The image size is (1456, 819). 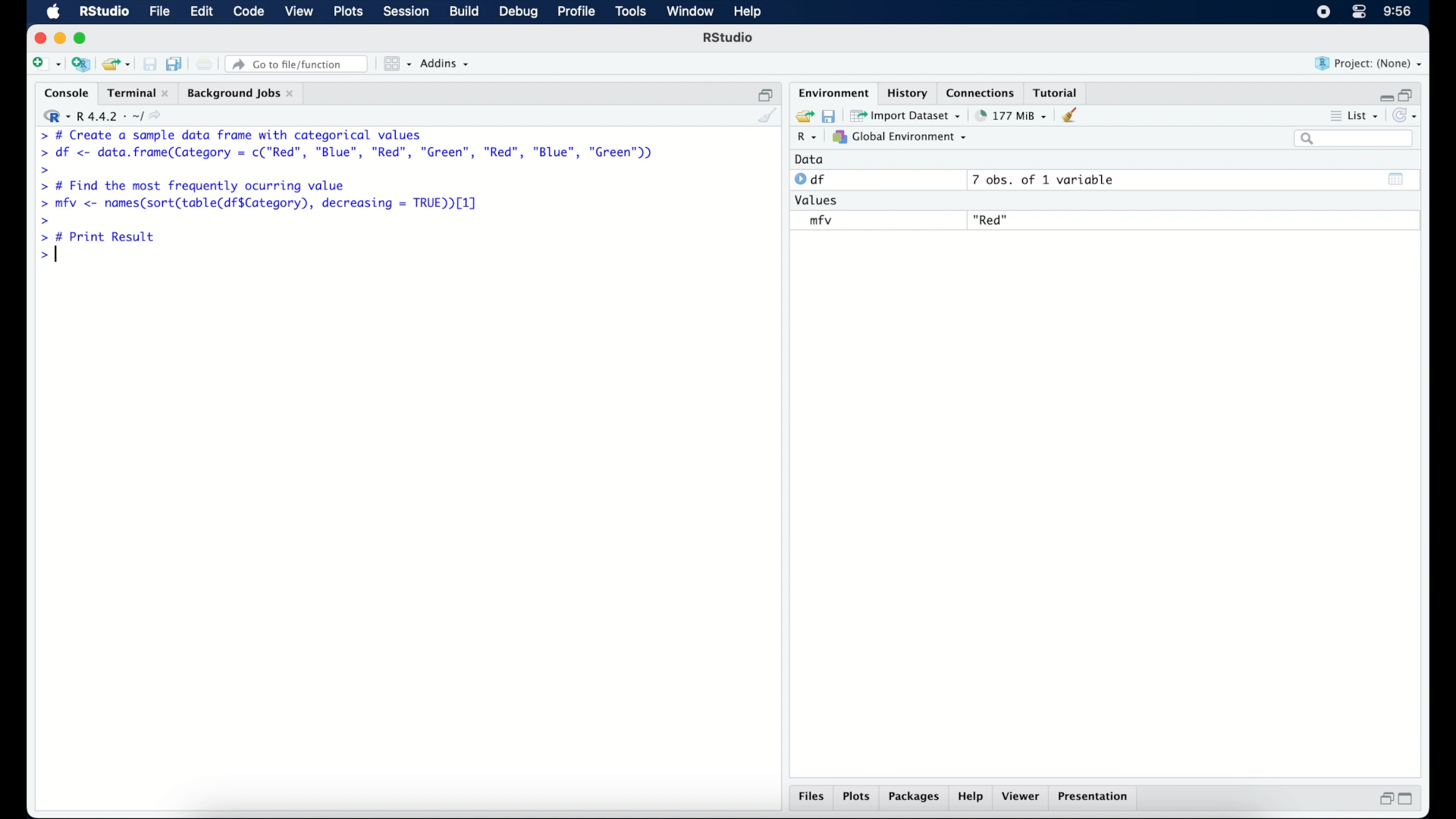 I want to click on values, so click(x=820, y=201).